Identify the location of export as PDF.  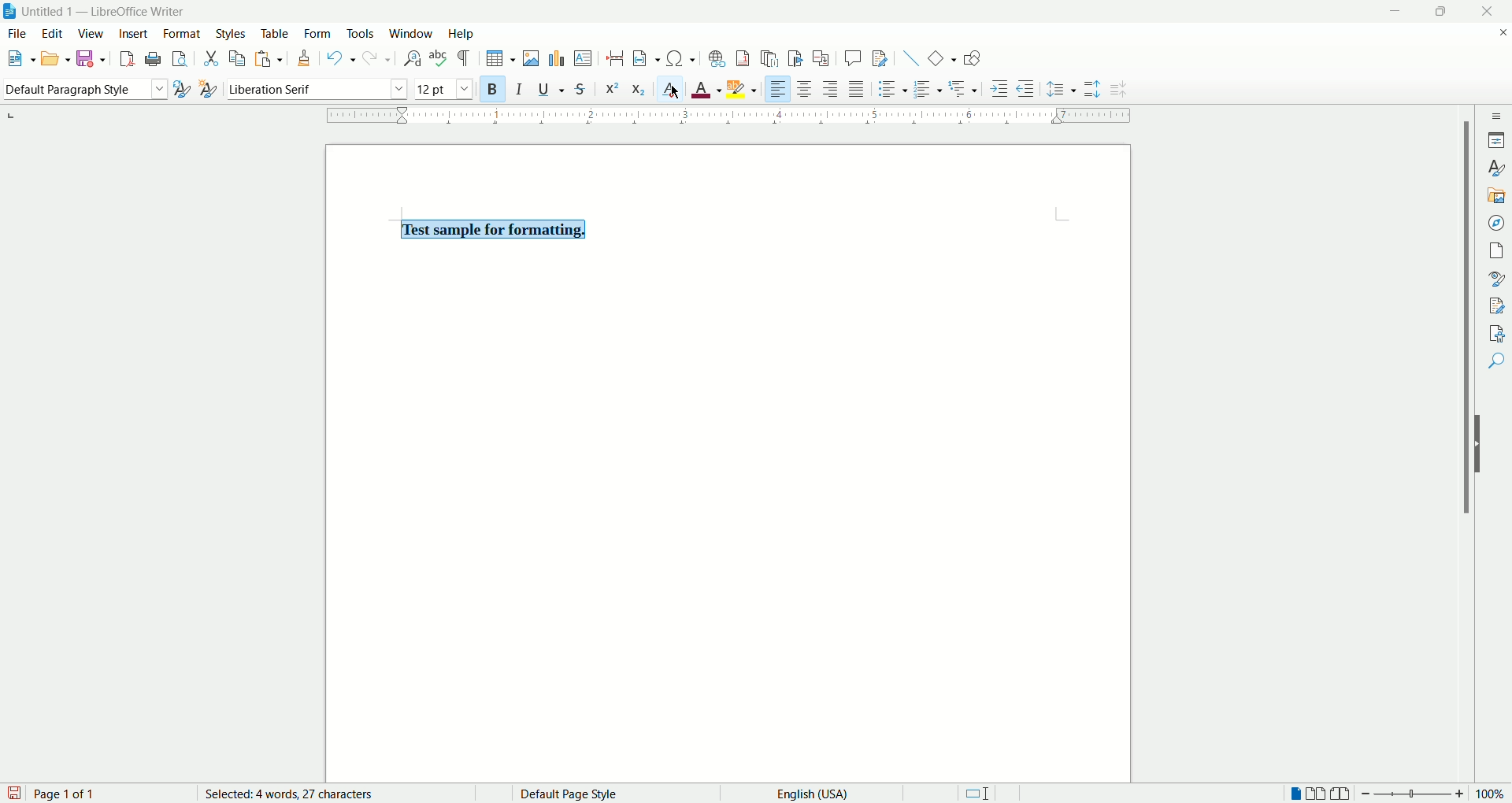
(129, 61).